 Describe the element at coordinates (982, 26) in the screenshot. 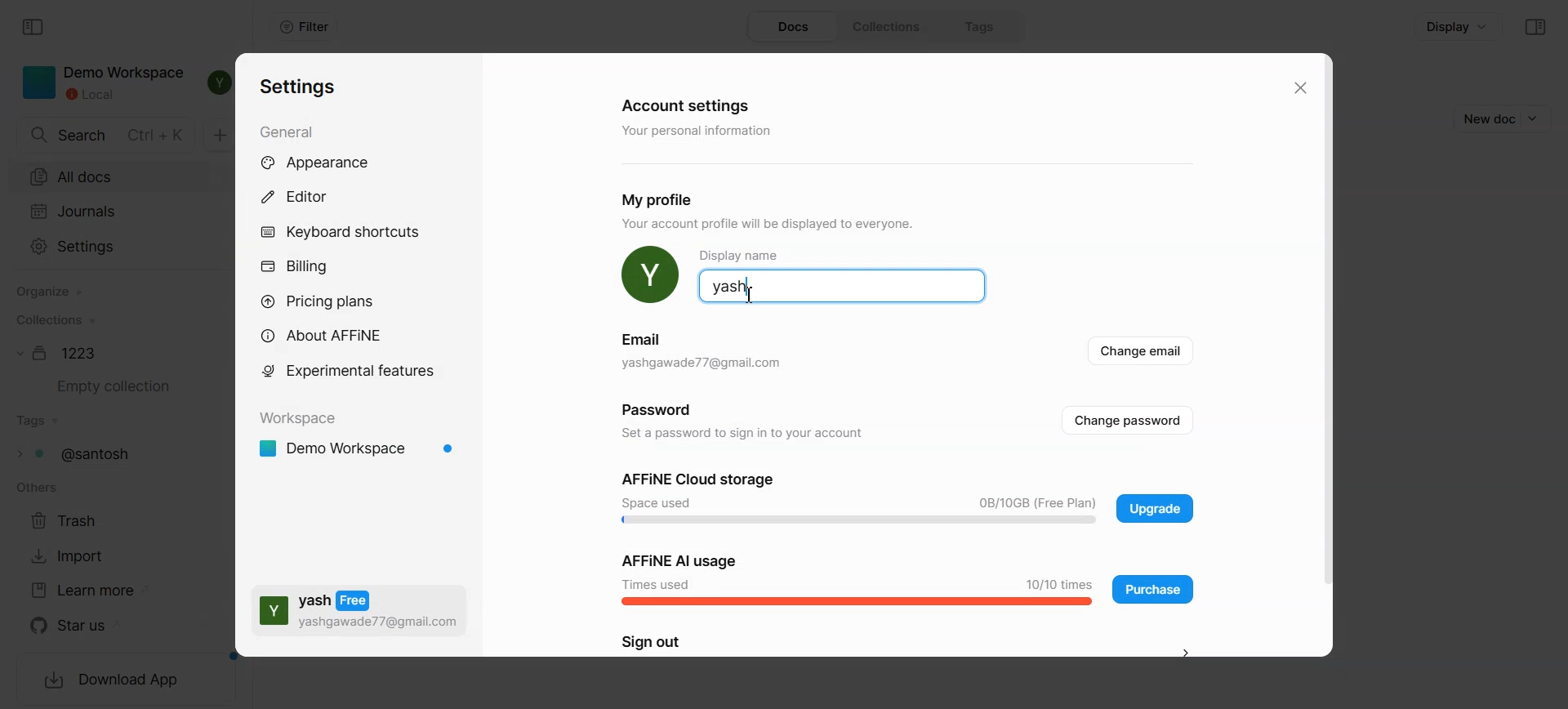

I see `Tags` at that location.